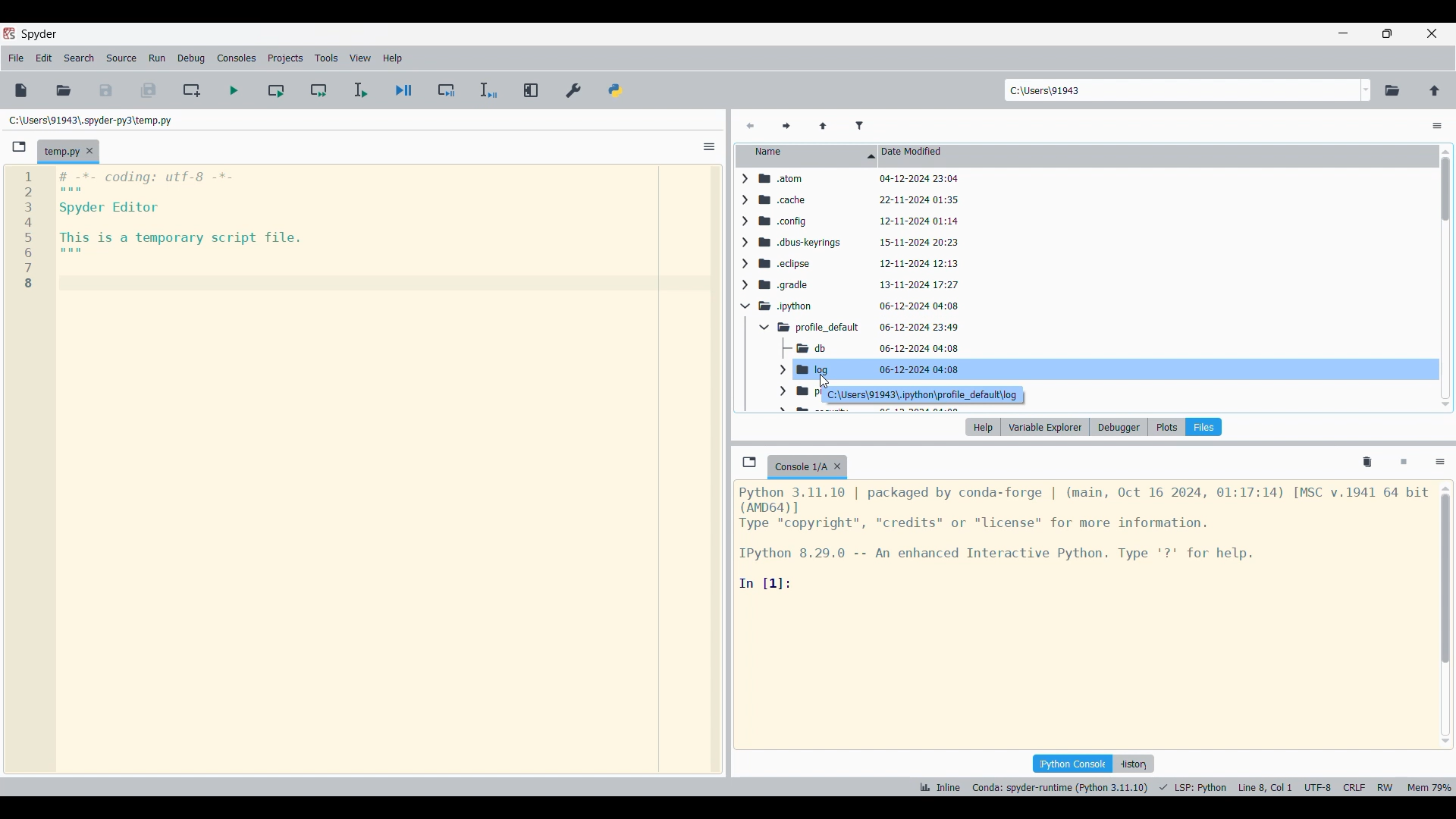 The image size is (1456, 819). Describe the element at coordinates (807, 156) in the screenshot. I see `Name column, current sorting` at that location.